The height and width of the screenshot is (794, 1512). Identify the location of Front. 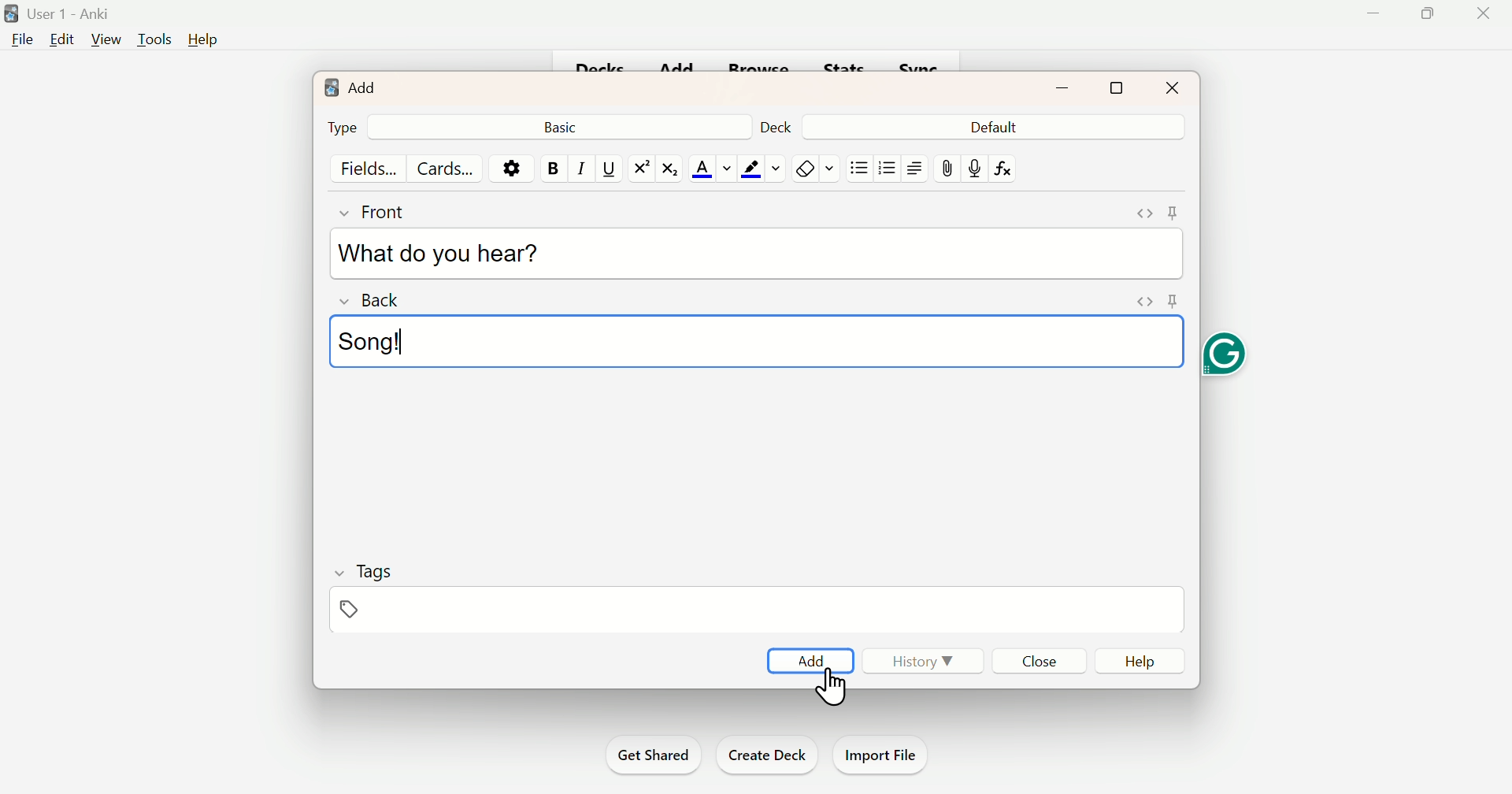
(387, 216).